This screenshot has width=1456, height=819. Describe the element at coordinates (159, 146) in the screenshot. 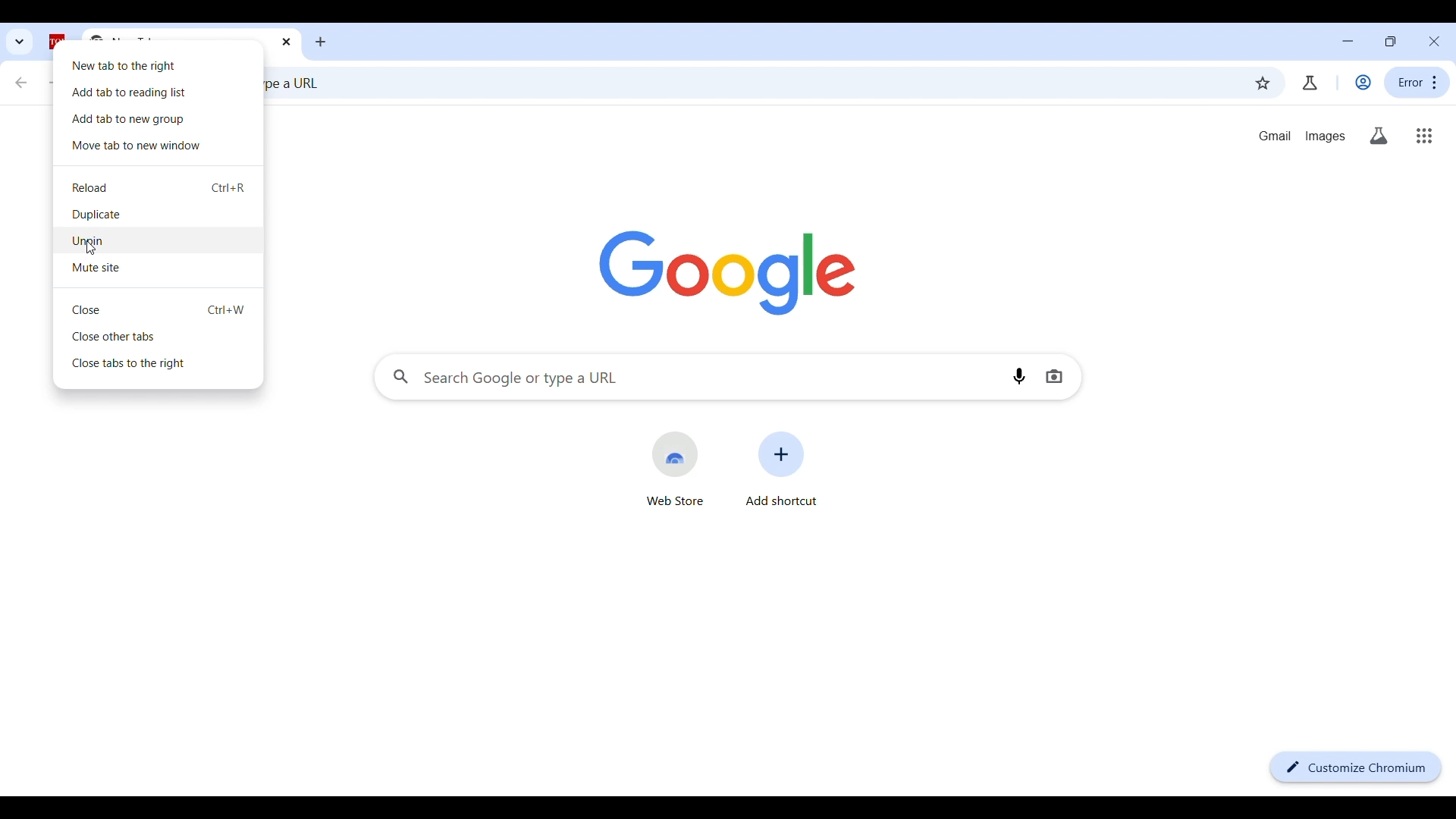

I see `Move tab to new window` at that location.